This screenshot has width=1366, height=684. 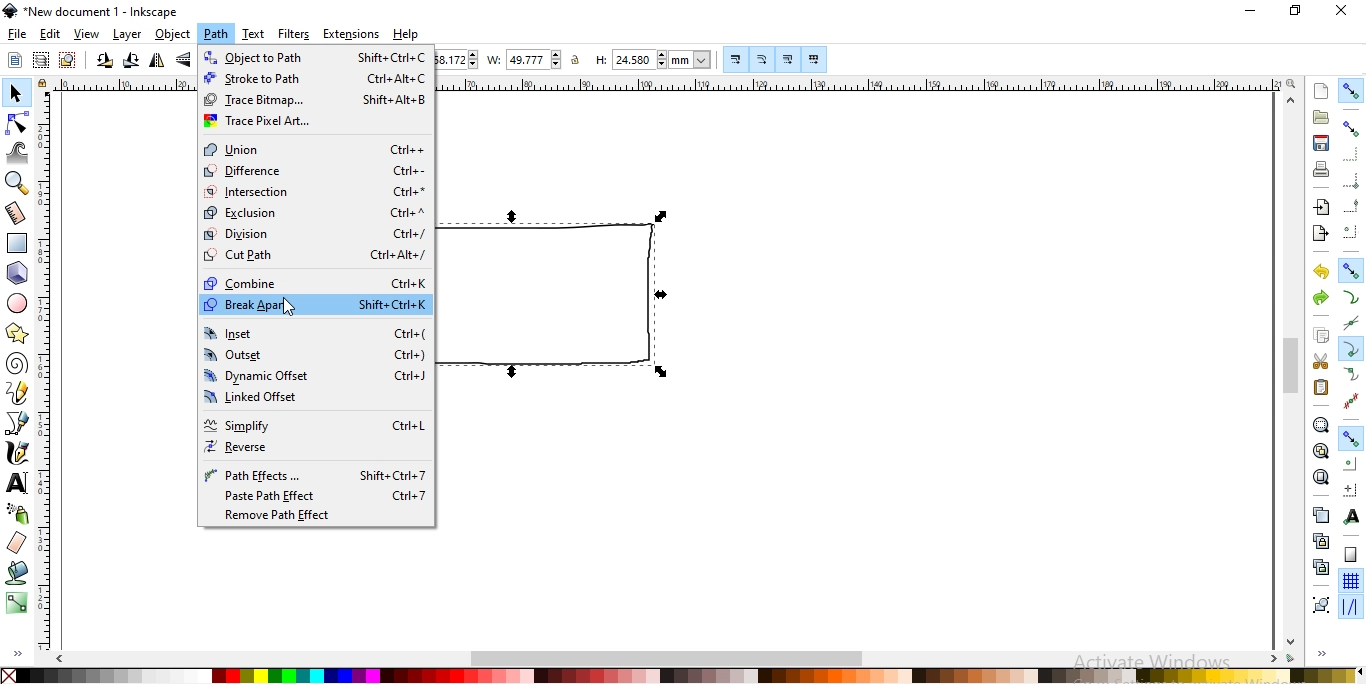 I want to click on remove path effect, so click(x=316, y=517).